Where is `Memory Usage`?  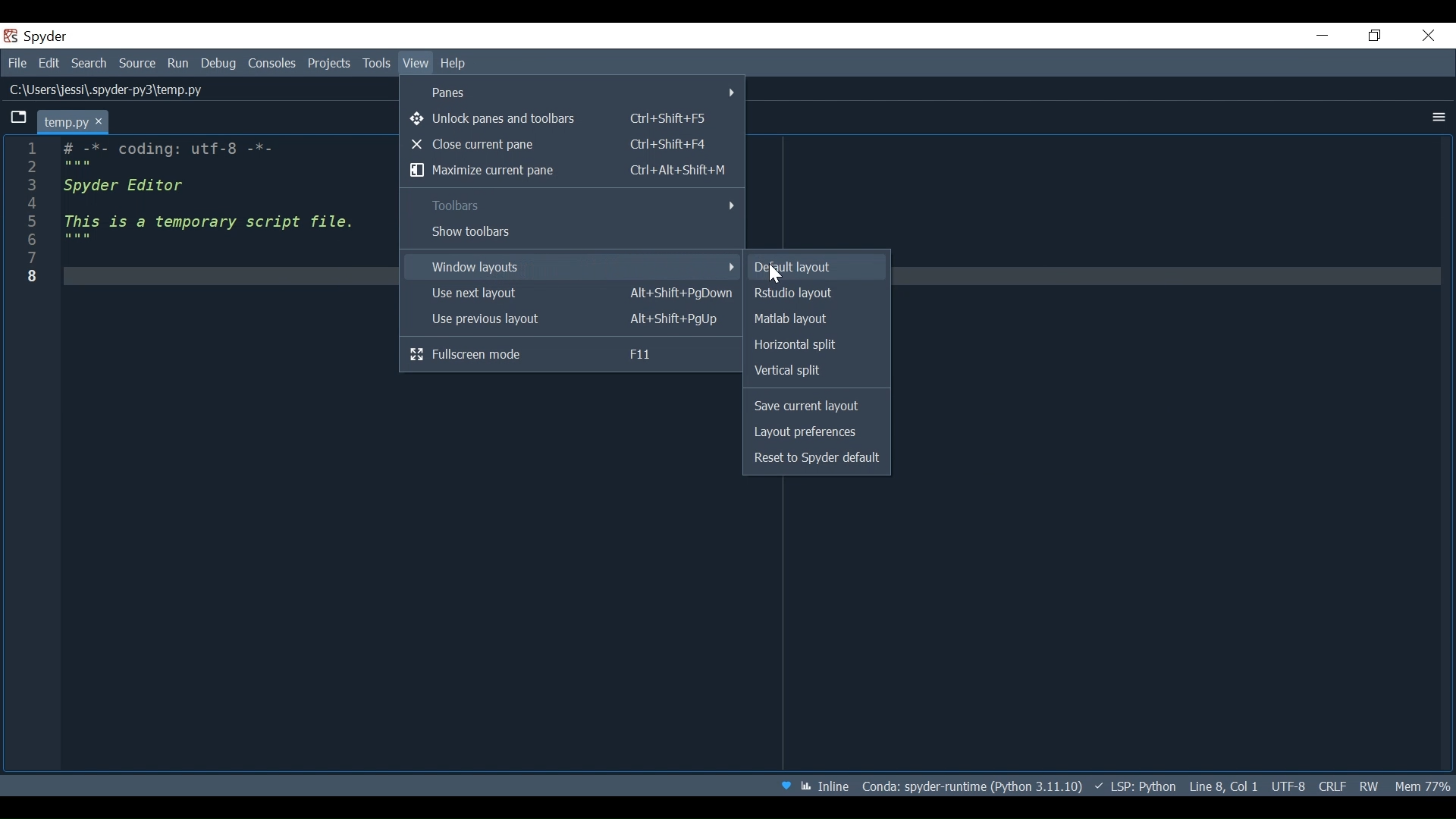
Memory Usage is located at coordinates (1422, 786).